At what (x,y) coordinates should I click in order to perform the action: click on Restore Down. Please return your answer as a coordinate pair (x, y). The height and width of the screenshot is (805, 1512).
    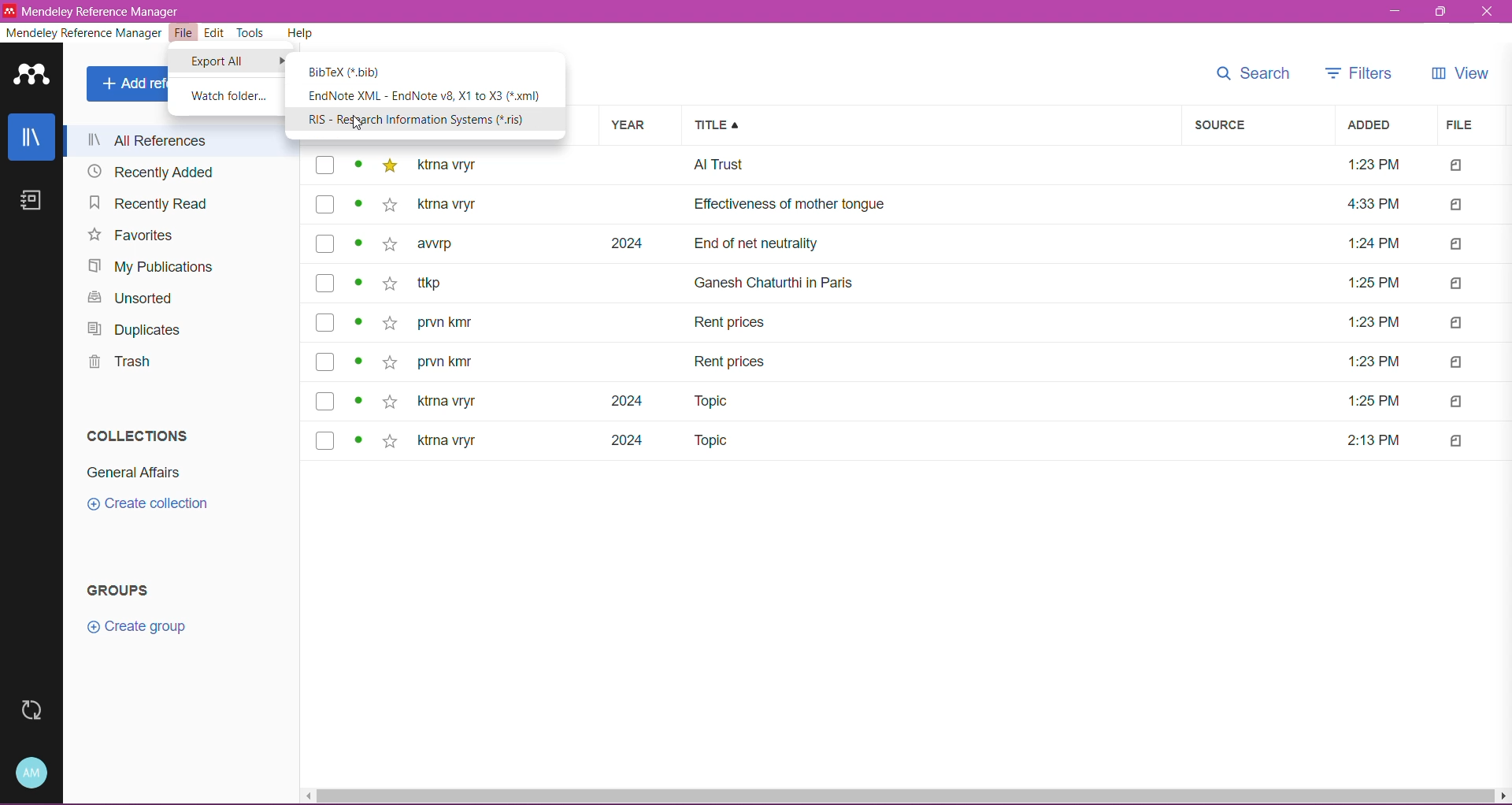
    Looking at the image, I should click on (1439, 13).